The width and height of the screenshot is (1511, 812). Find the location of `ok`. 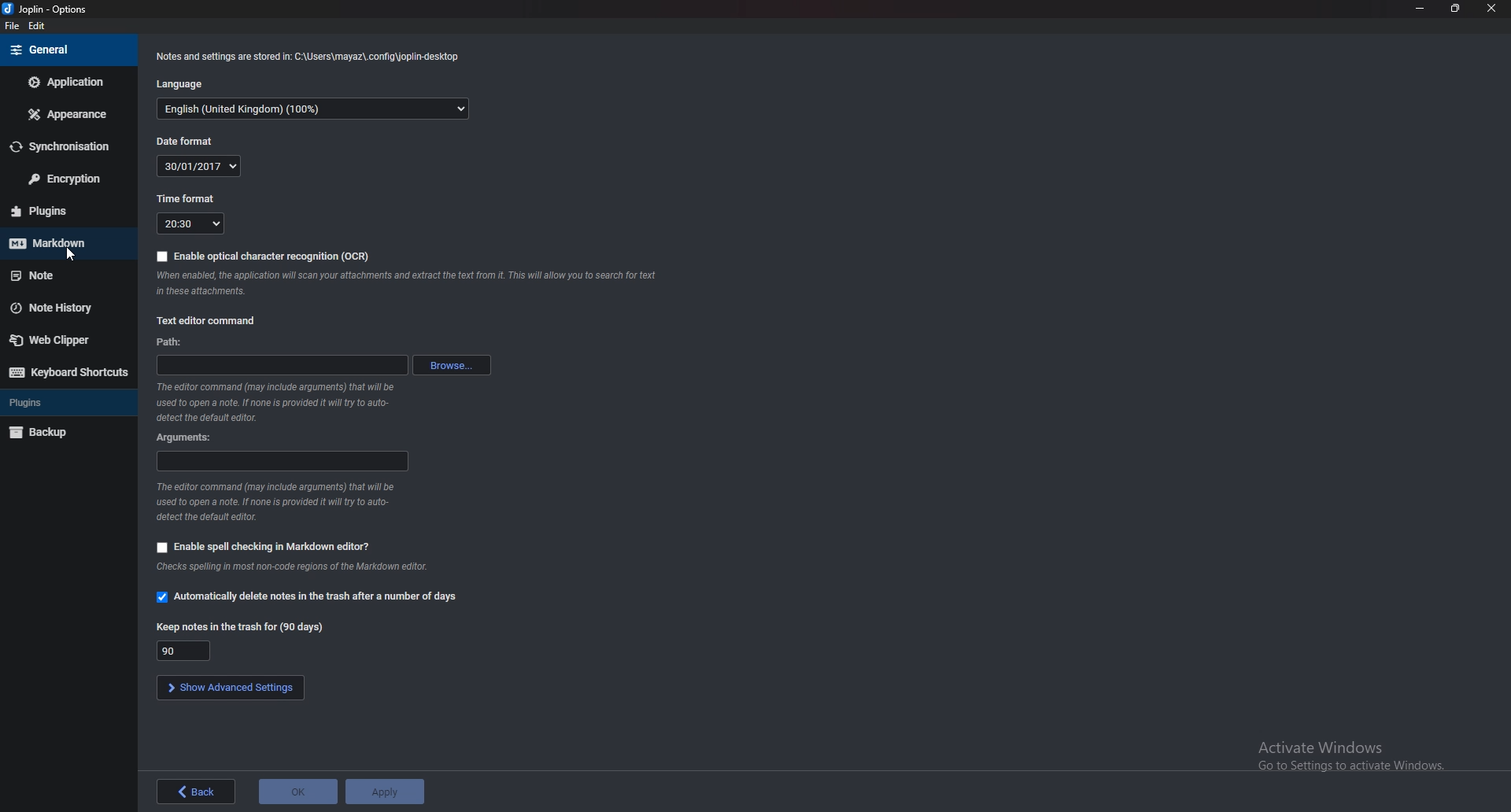

ok is located at coordinates (297, 791).